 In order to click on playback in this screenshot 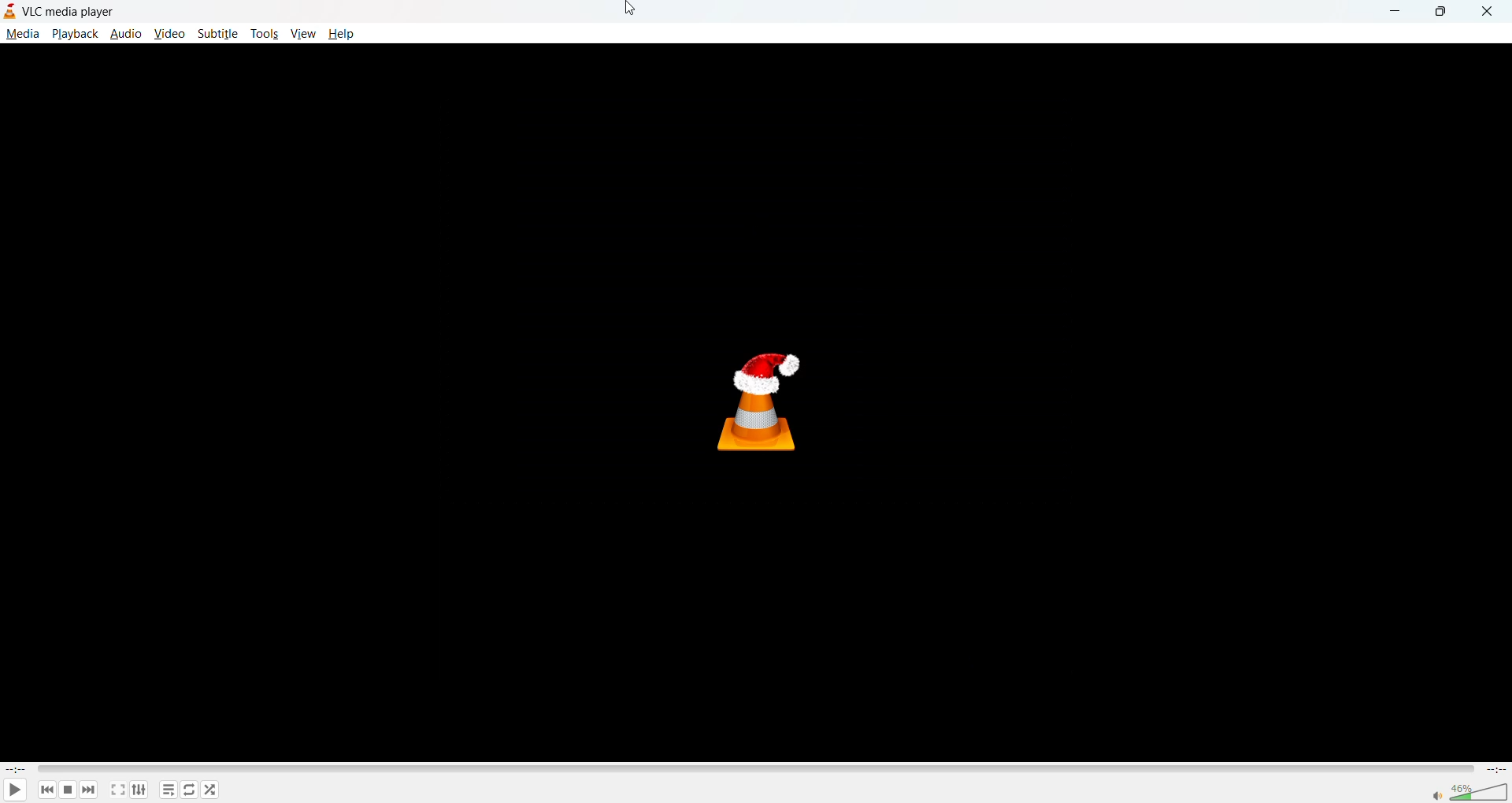, I will do `click(75, 34)`.